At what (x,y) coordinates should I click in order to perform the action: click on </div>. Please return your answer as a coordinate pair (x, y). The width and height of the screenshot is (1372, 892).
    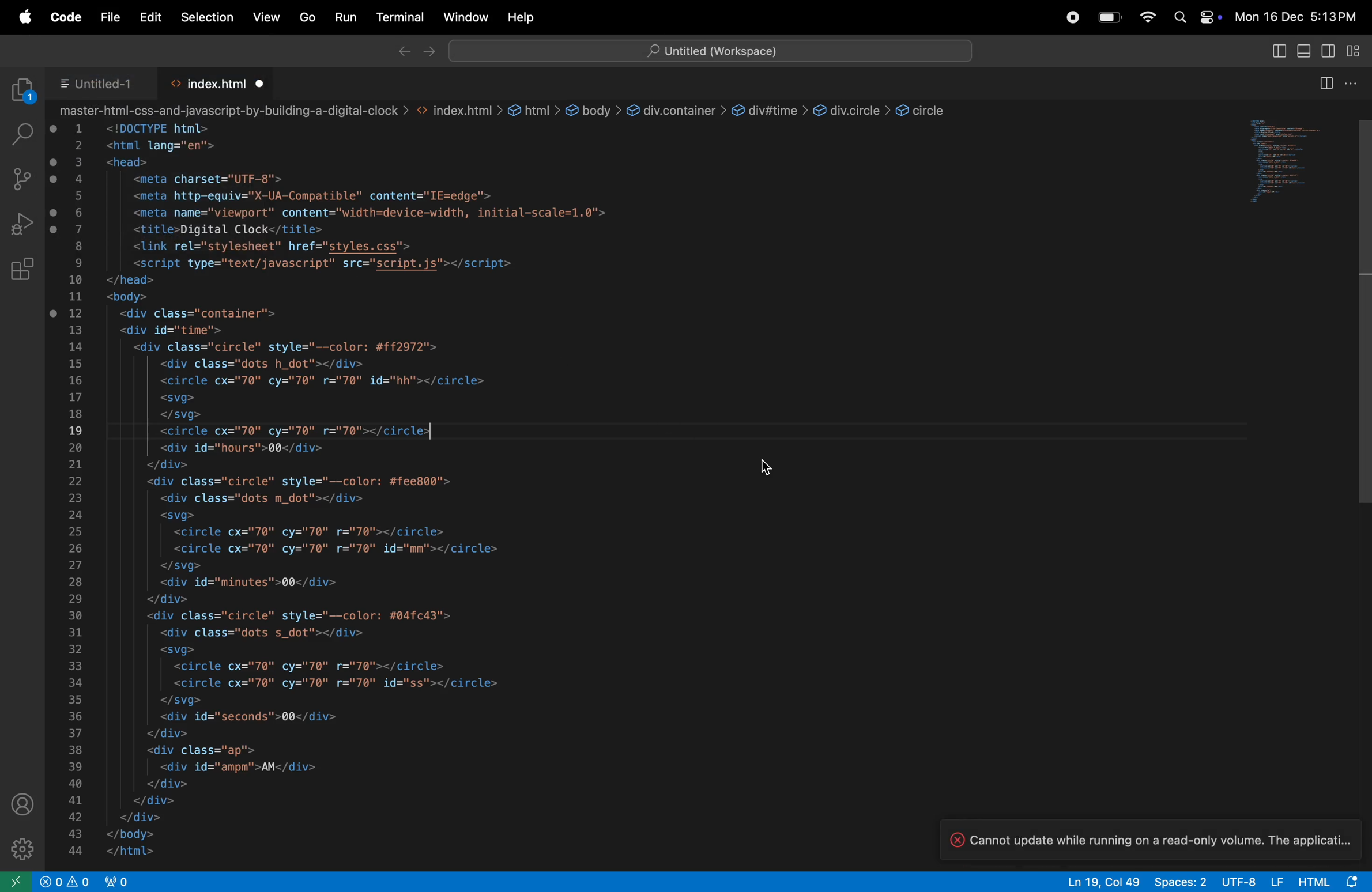
    Looking at the image, I should click on (149, 800).